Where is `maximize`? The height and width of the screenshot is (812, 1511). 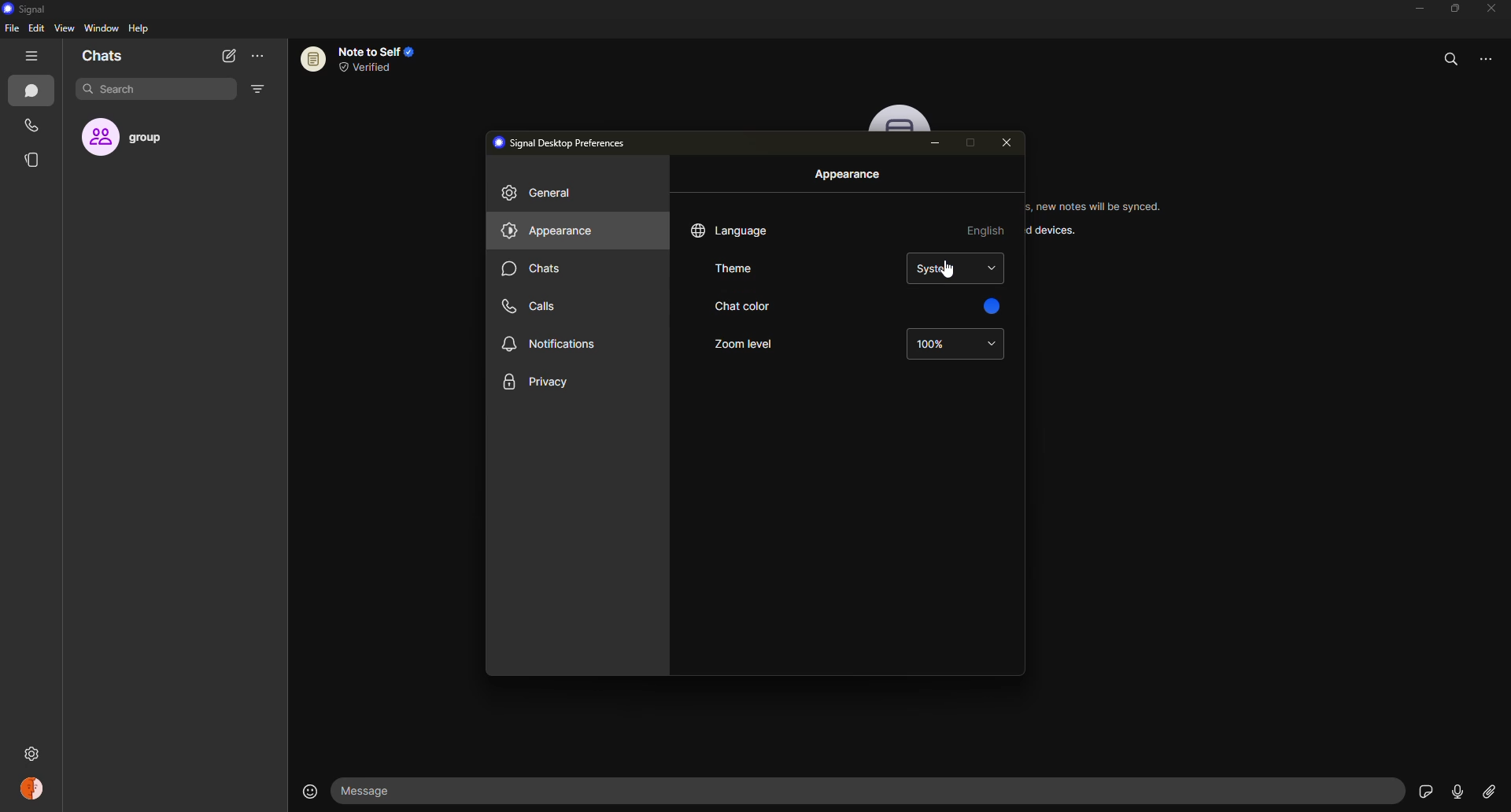 maximize is located at coordinates (1451, 9).